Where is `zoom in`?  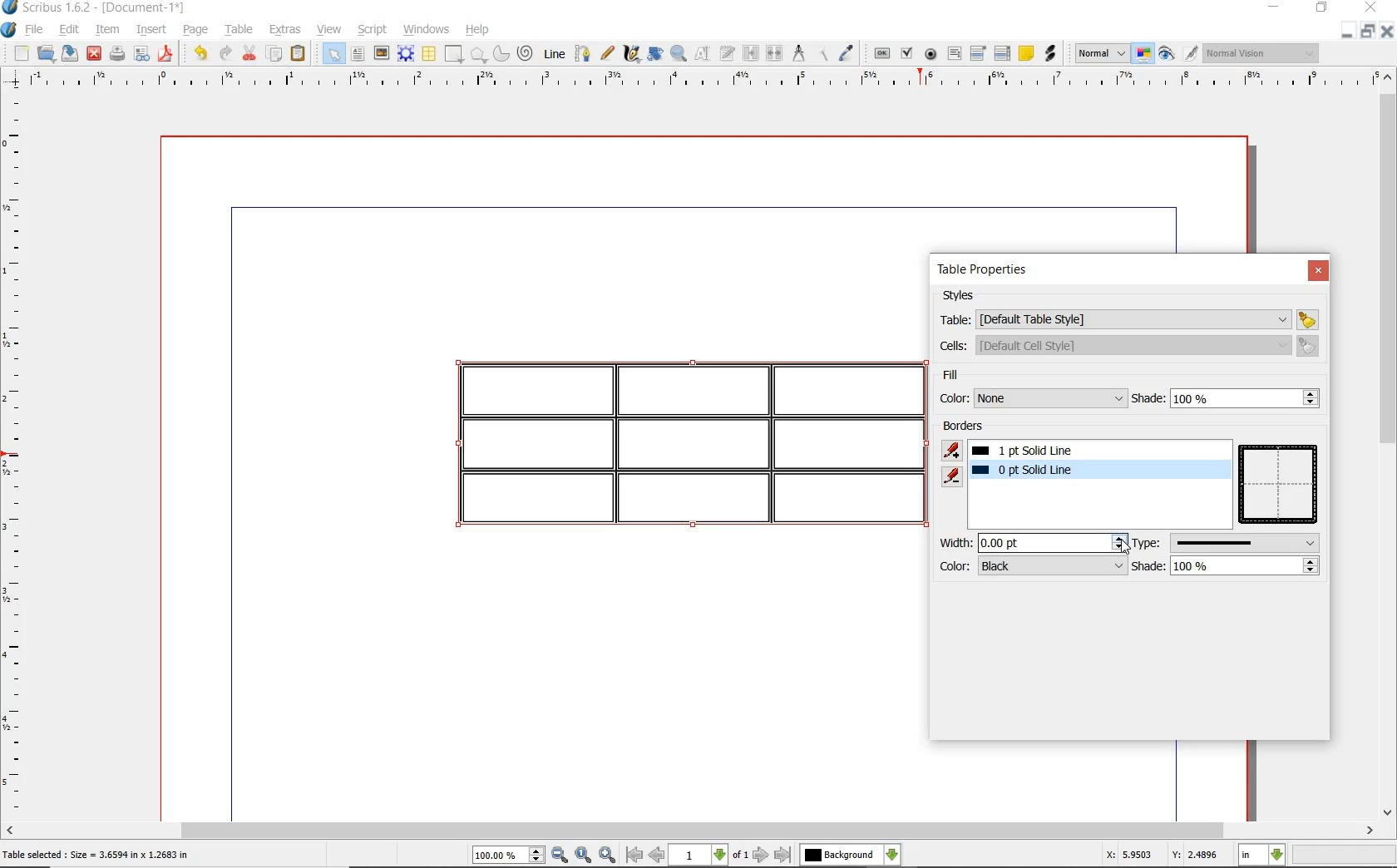
zoom in is located at coordinates (608, 855).